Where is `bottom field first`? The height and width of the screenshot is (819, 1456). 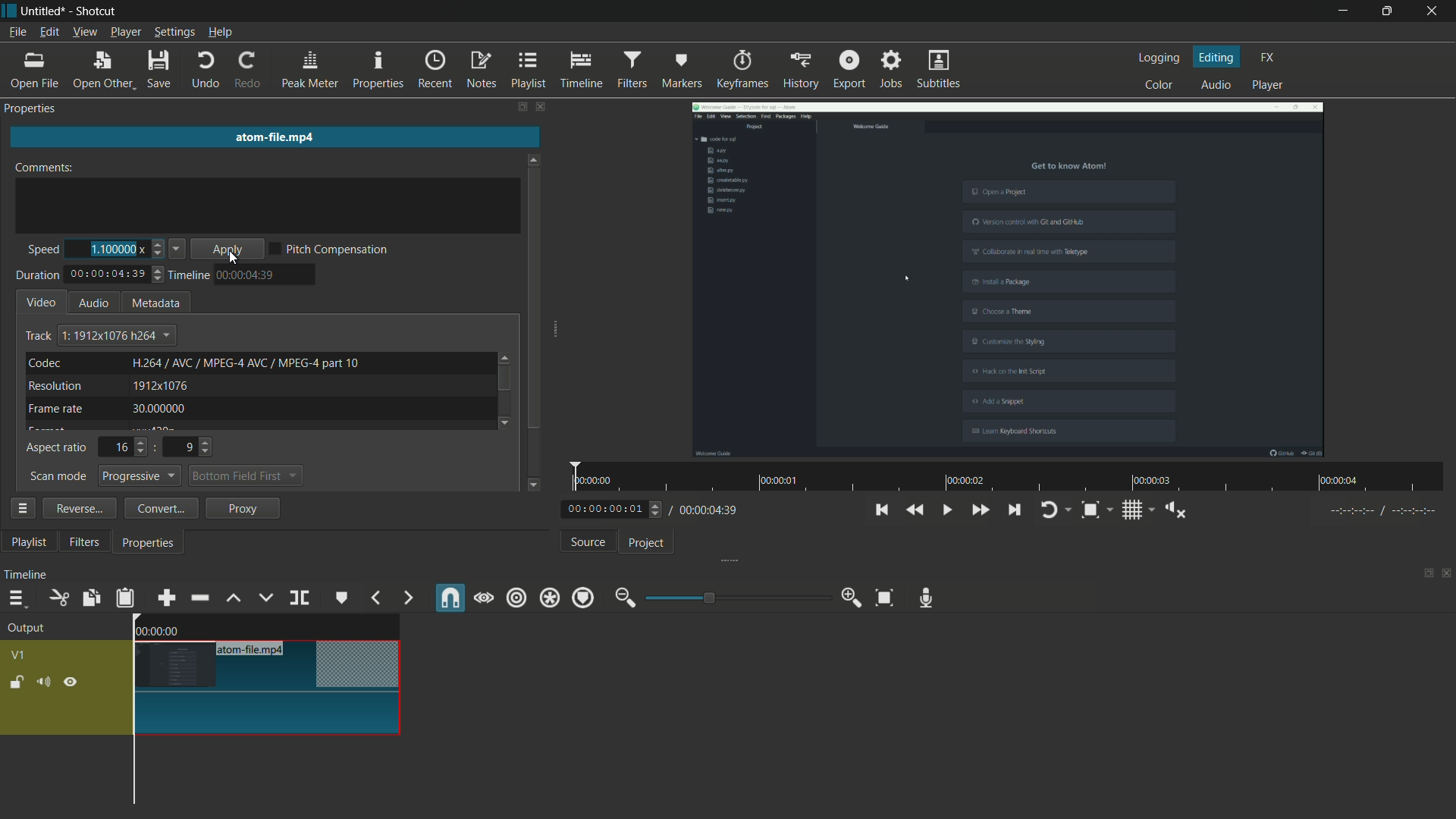 bottom field first is located at coordinates (238, 478).